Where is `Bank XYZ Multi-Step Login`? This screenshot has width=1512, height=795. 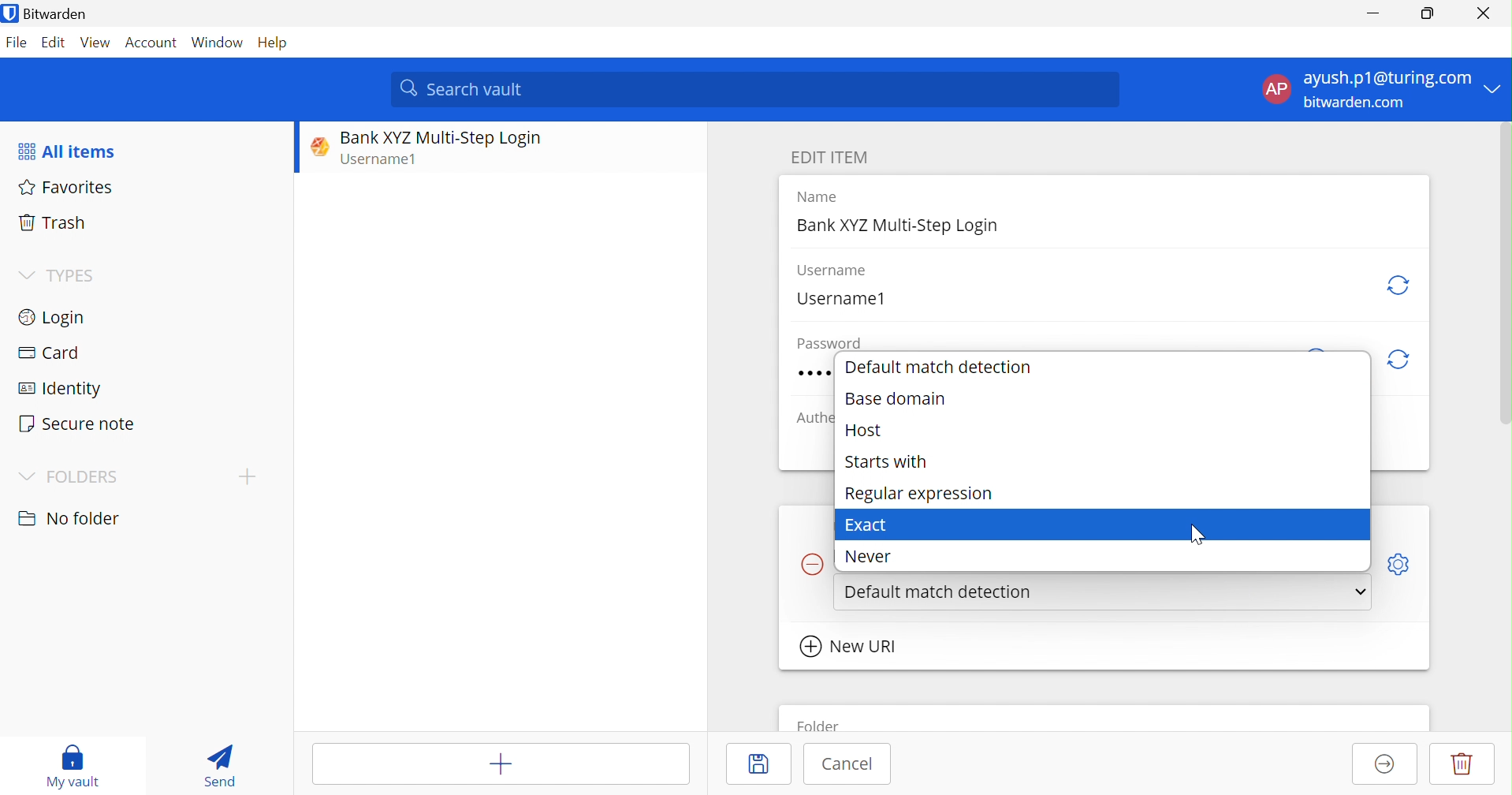
Bank XYZ Multi-Step Login is located at coordinates (900, 226).